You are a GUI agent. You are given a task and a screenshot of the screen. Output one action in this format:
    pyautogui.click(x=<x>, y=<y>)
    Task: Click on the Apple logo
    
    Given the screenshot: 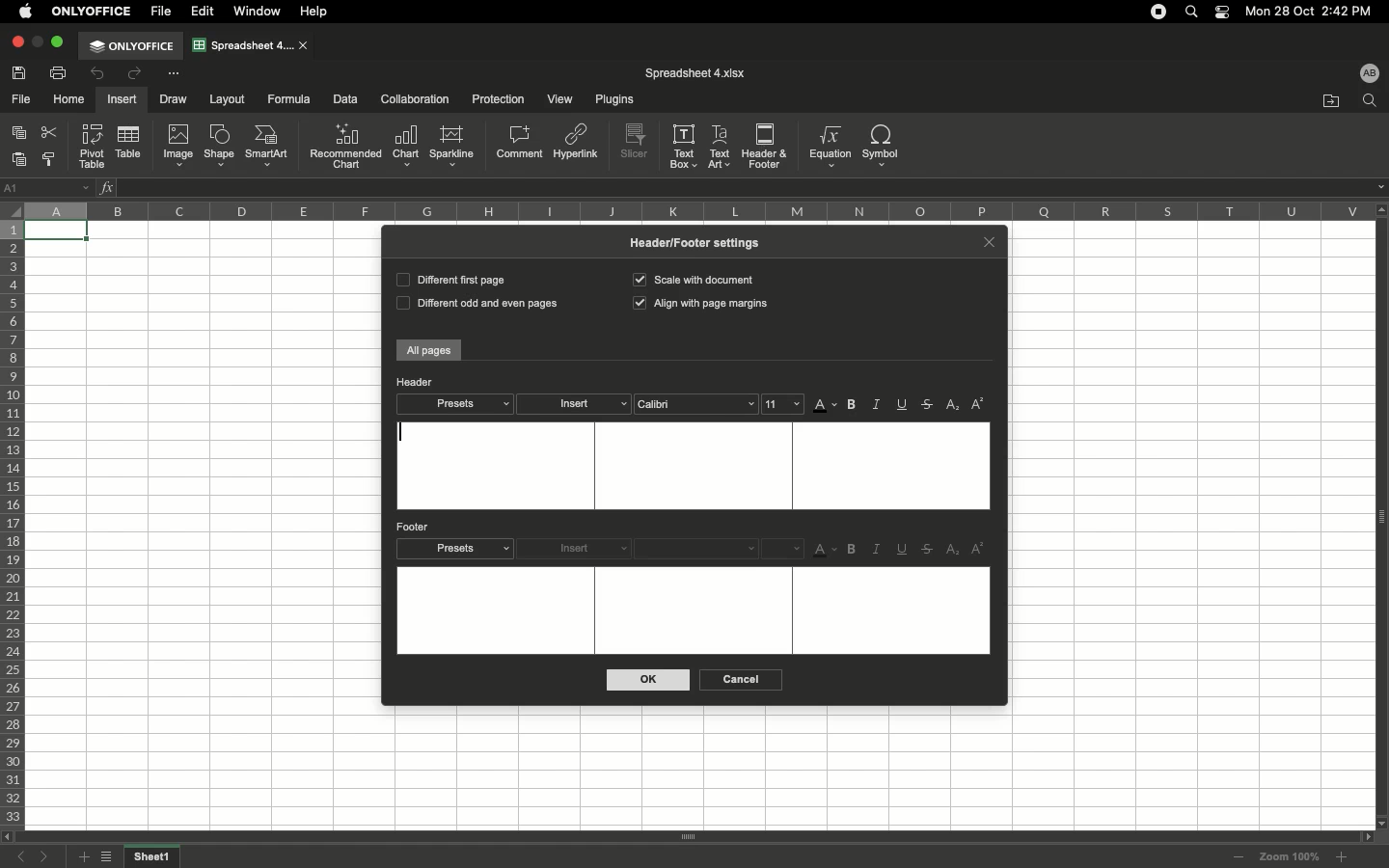 What is the action you would take?
    pyautogui.click(x=26, y=11)
    